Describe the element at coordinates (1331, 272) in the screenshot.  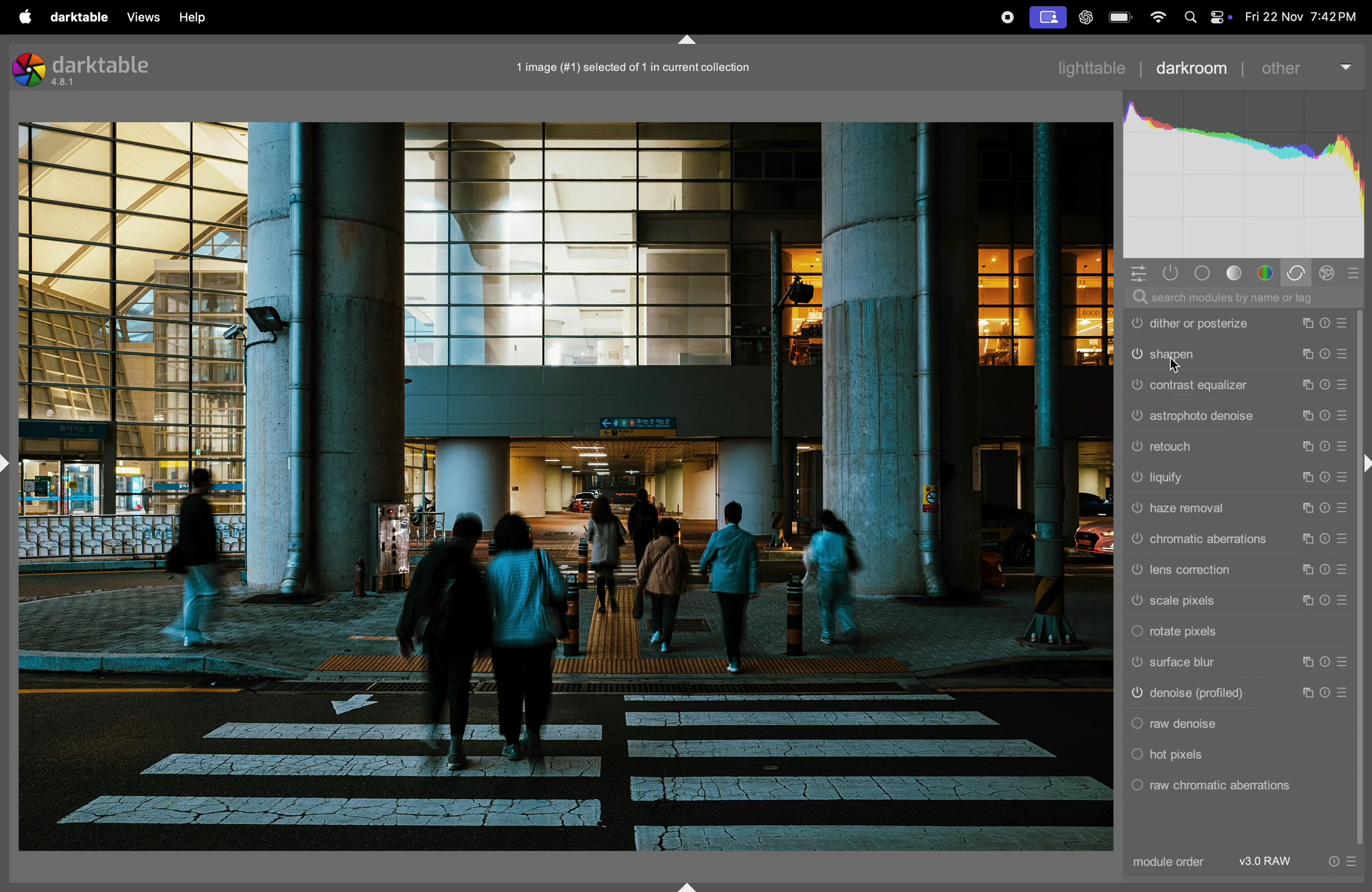
I see `effect` at that location.